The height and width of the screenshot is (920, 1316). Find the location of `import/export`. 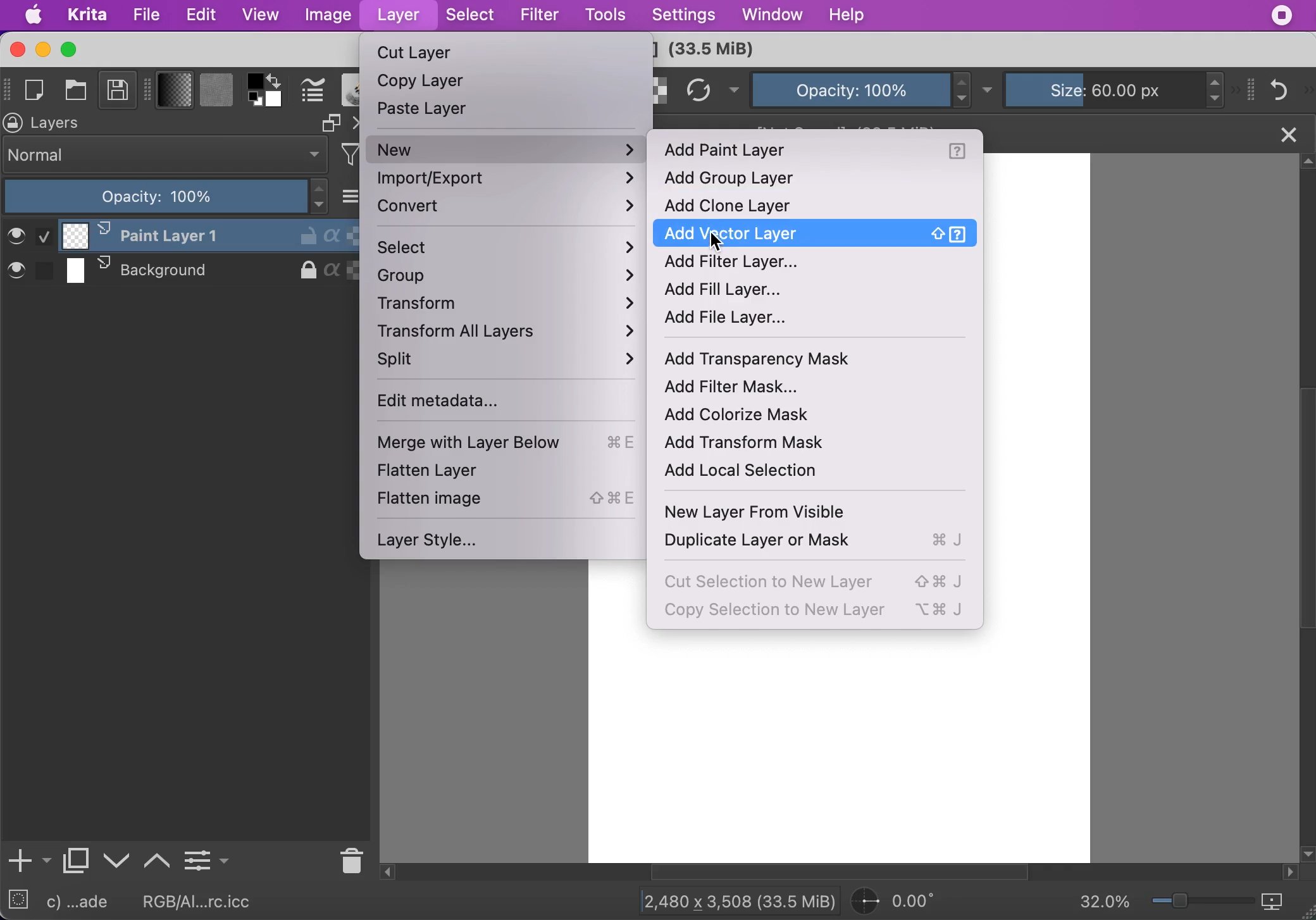

import/export is located at coordinates (508, 180).